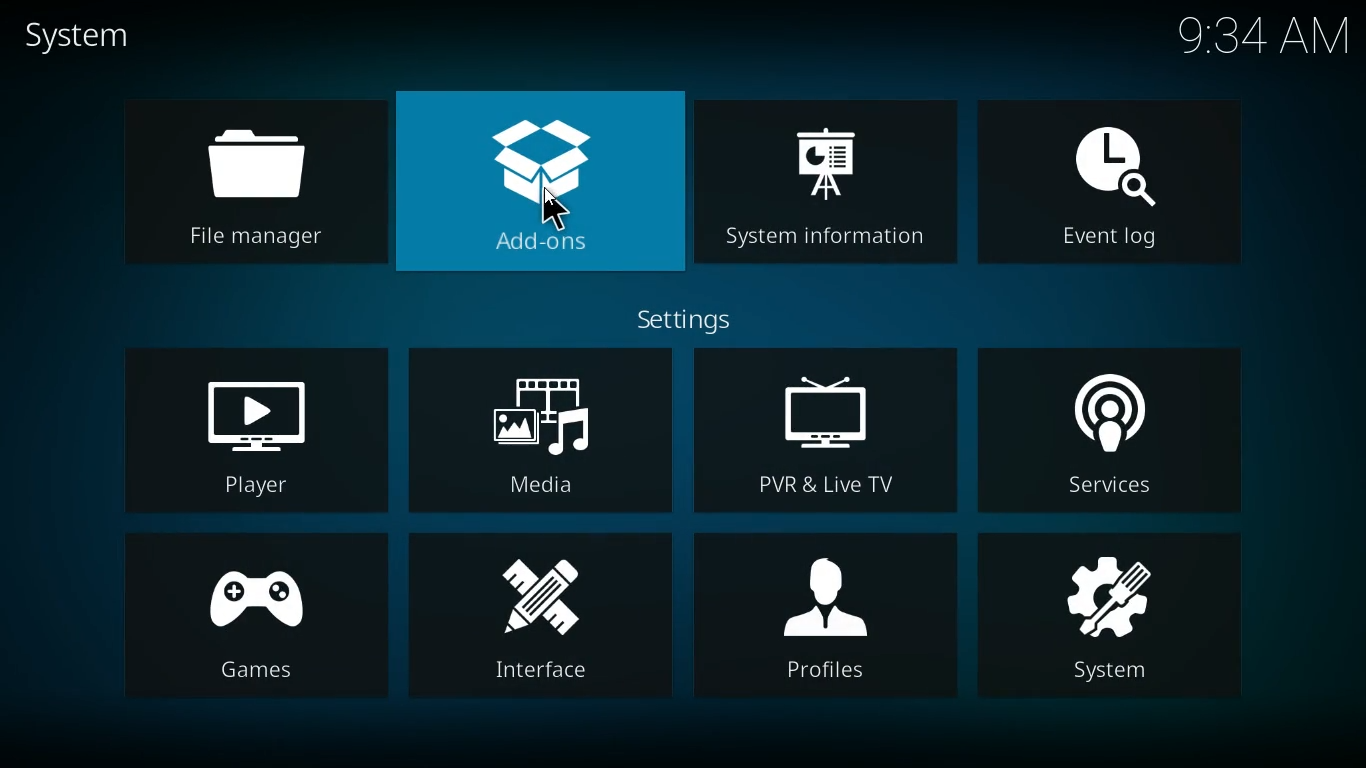 This screenshot has height=768, width=1366. What do you see at coordinates (1257, 37) in the screenshot?
I see `Time - 9:34AM` at bounding box center [1257, 37].